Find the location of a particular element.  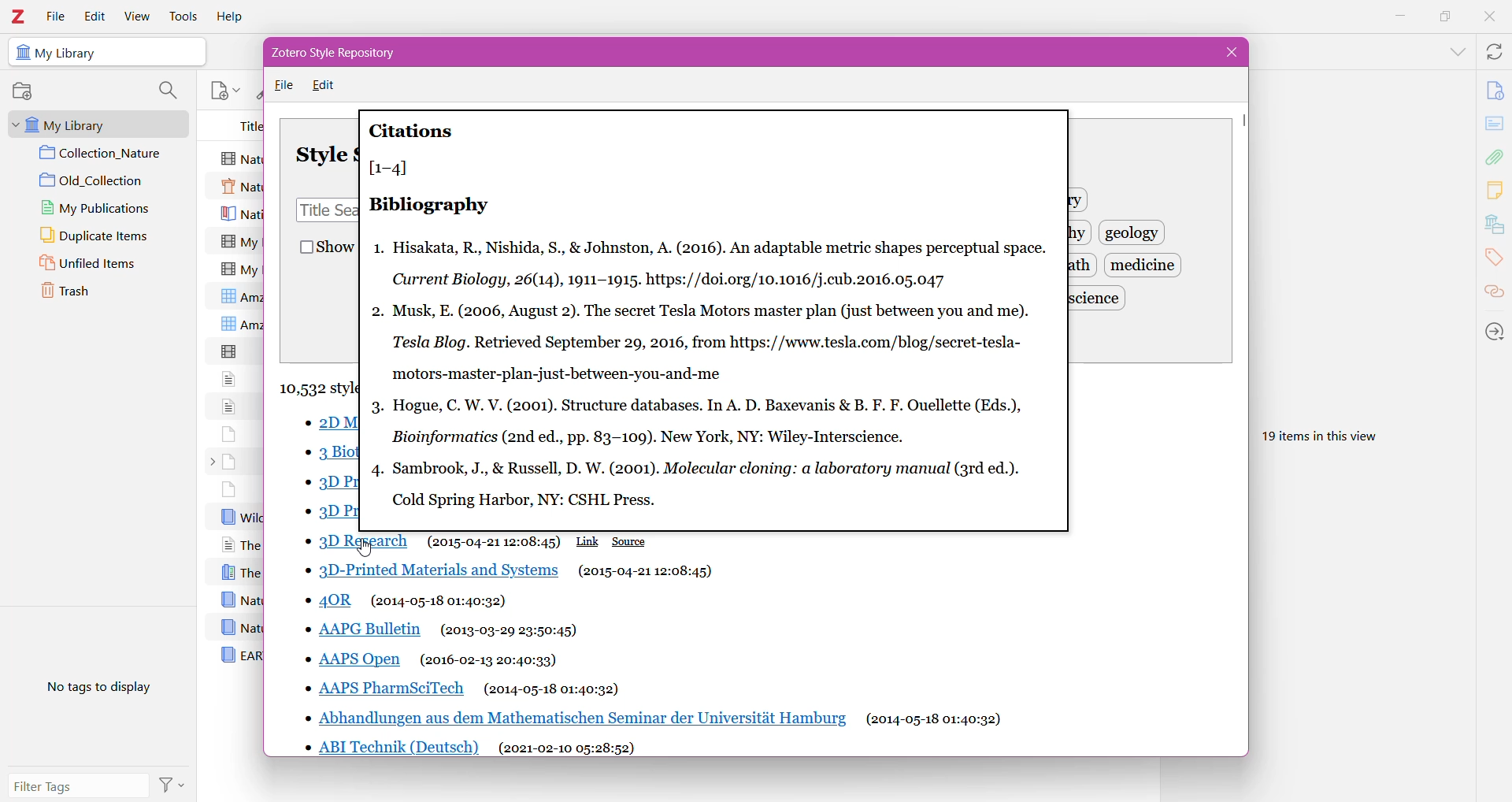

Minimize is located at coordinates (1402, 17).